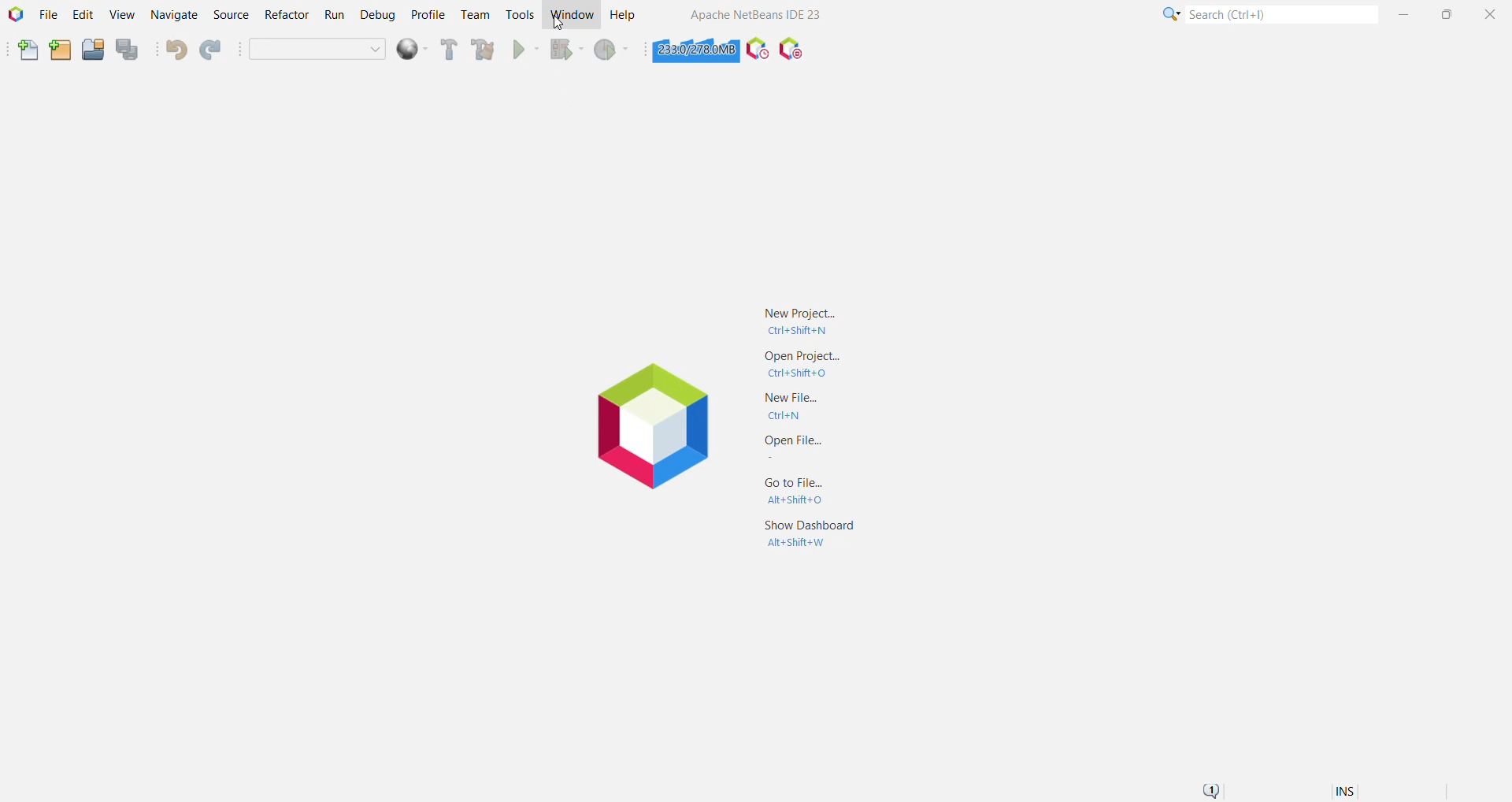 This screenshot has width=1512, height=802. Describe the element at coordinates (315, 48) in the screenshot. I see `Empty dropdown` at that location.